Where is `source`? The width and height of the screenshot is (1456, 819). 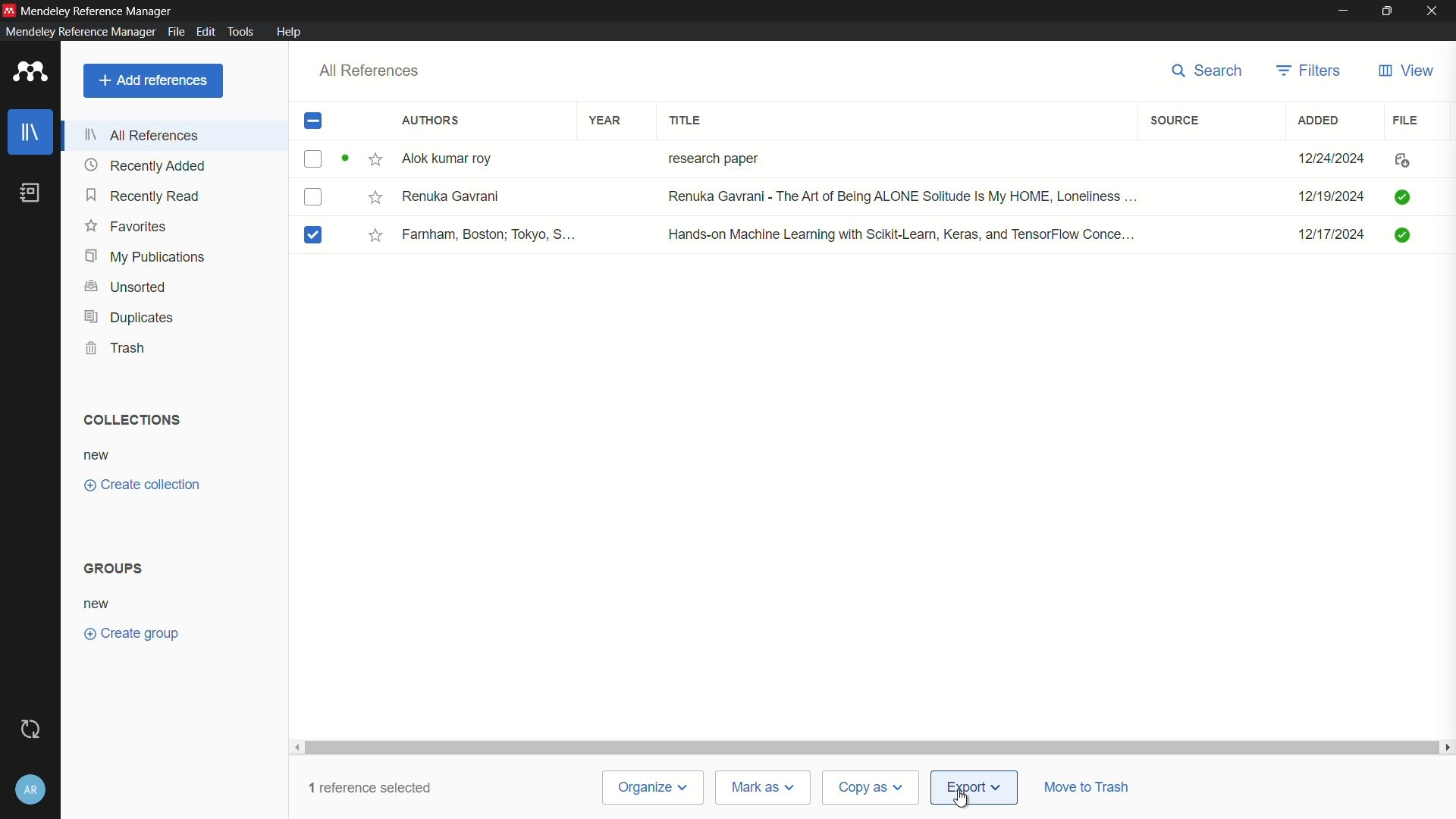 source is located at coordinates (1177, 121).